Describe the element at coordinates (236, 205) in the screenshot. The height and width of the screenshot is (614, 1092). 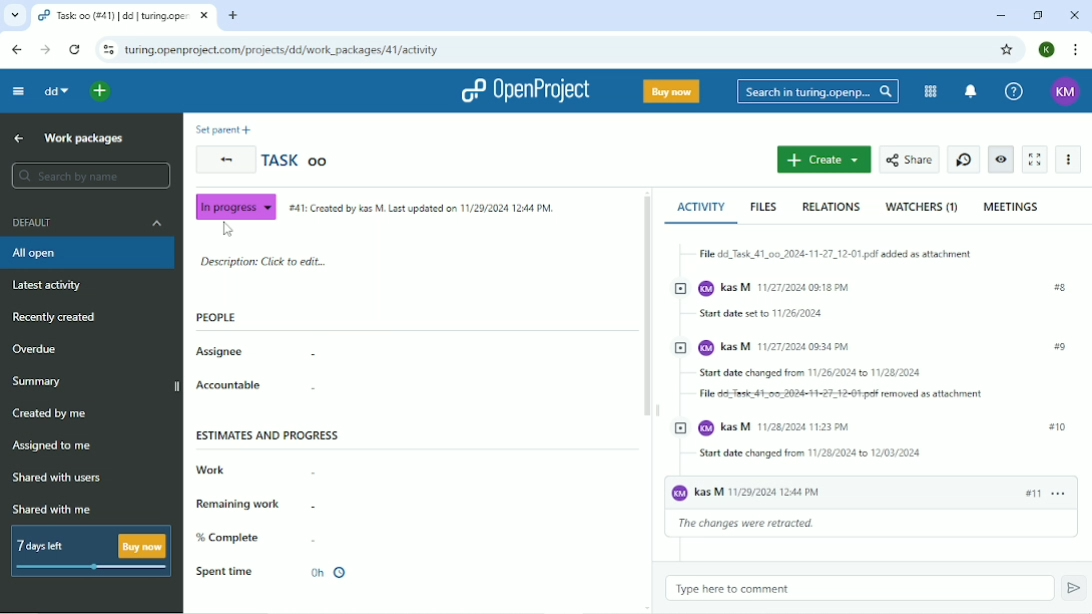
I see `In progress` at that location.